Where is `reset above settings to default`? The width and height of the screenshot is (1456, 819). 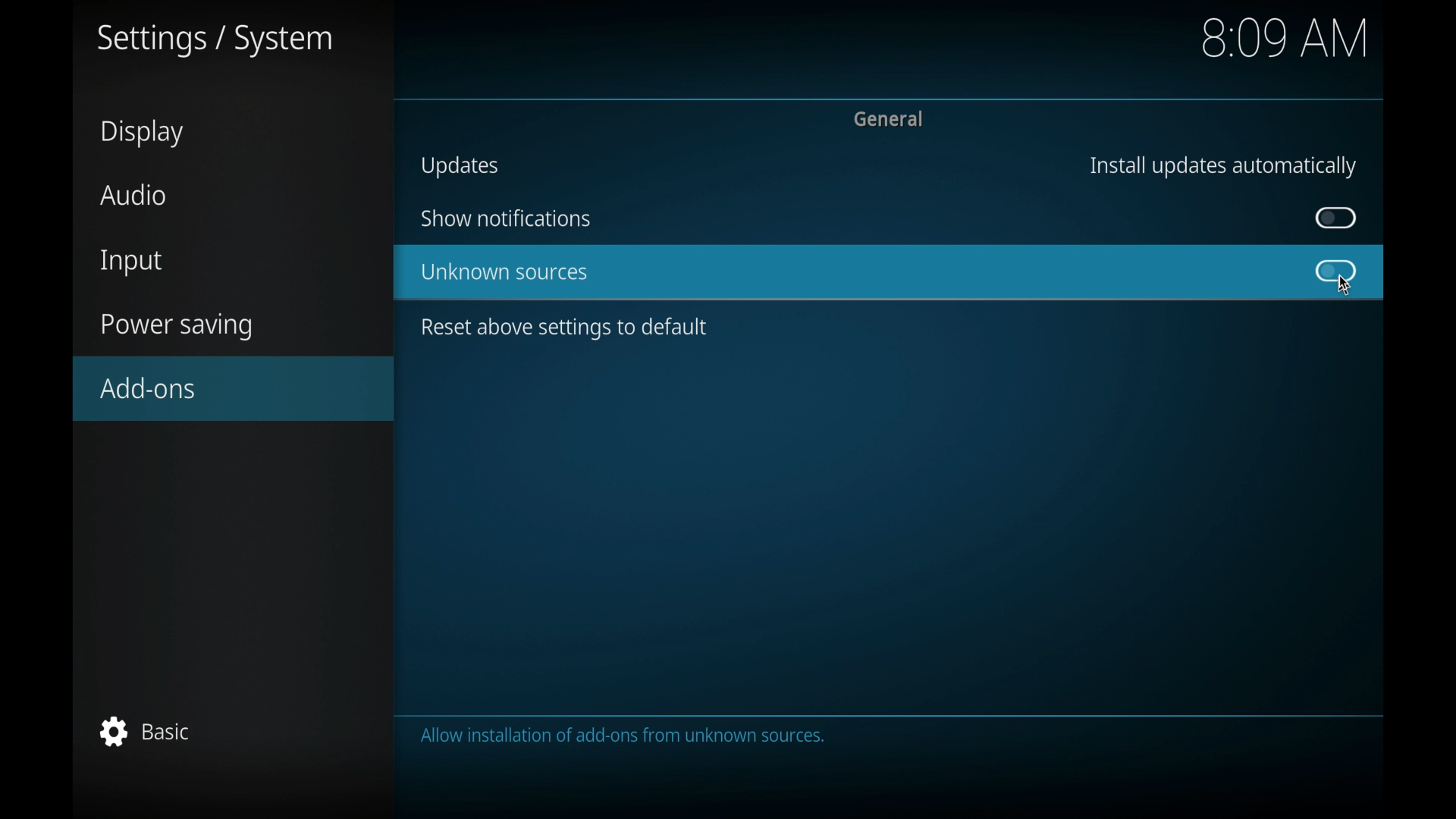 reset above settings to default is located at coordinates (566, 329).